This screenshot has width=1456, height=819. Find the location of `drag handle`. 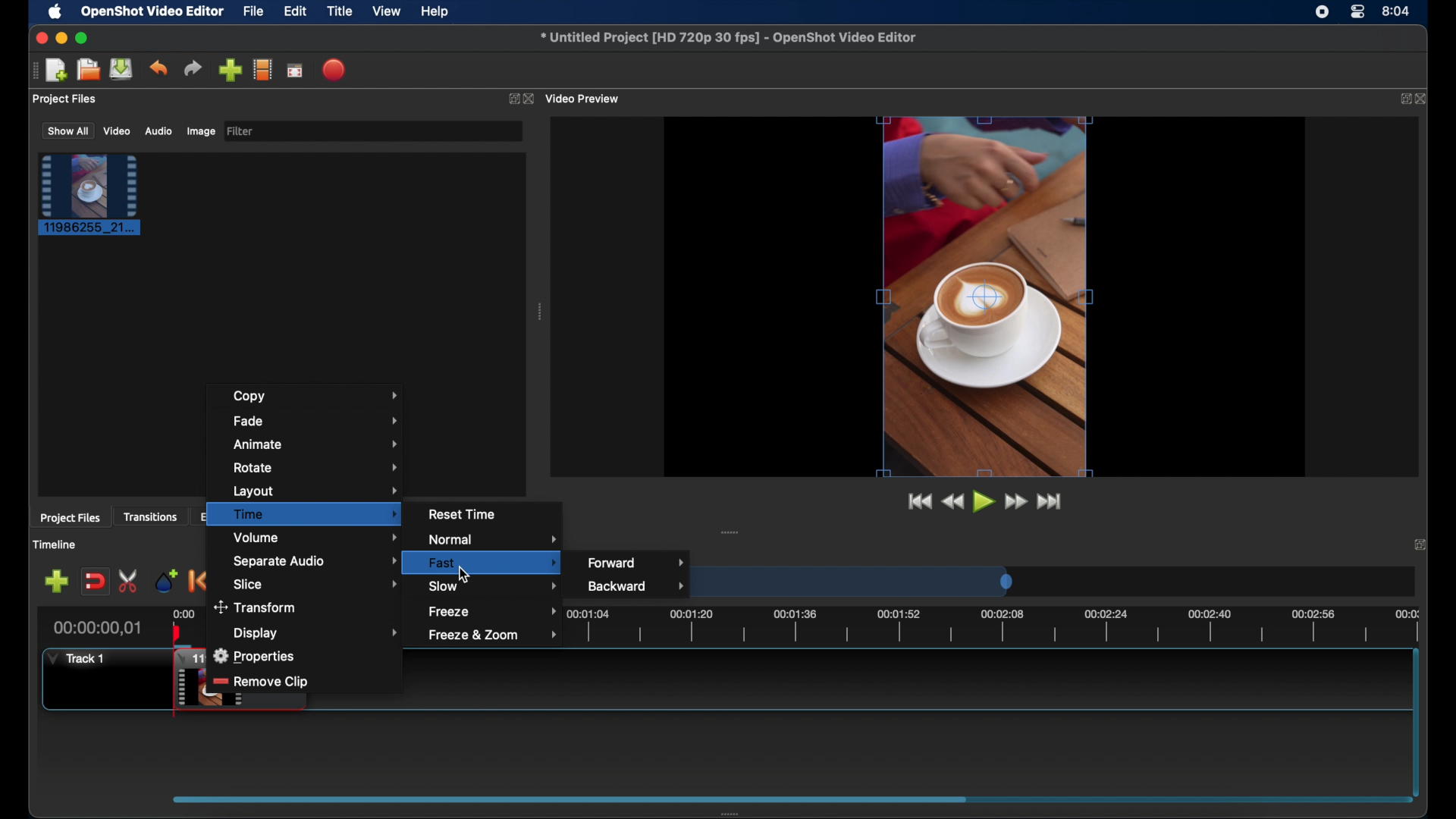

drag handle is located at coordinates (731, 532).